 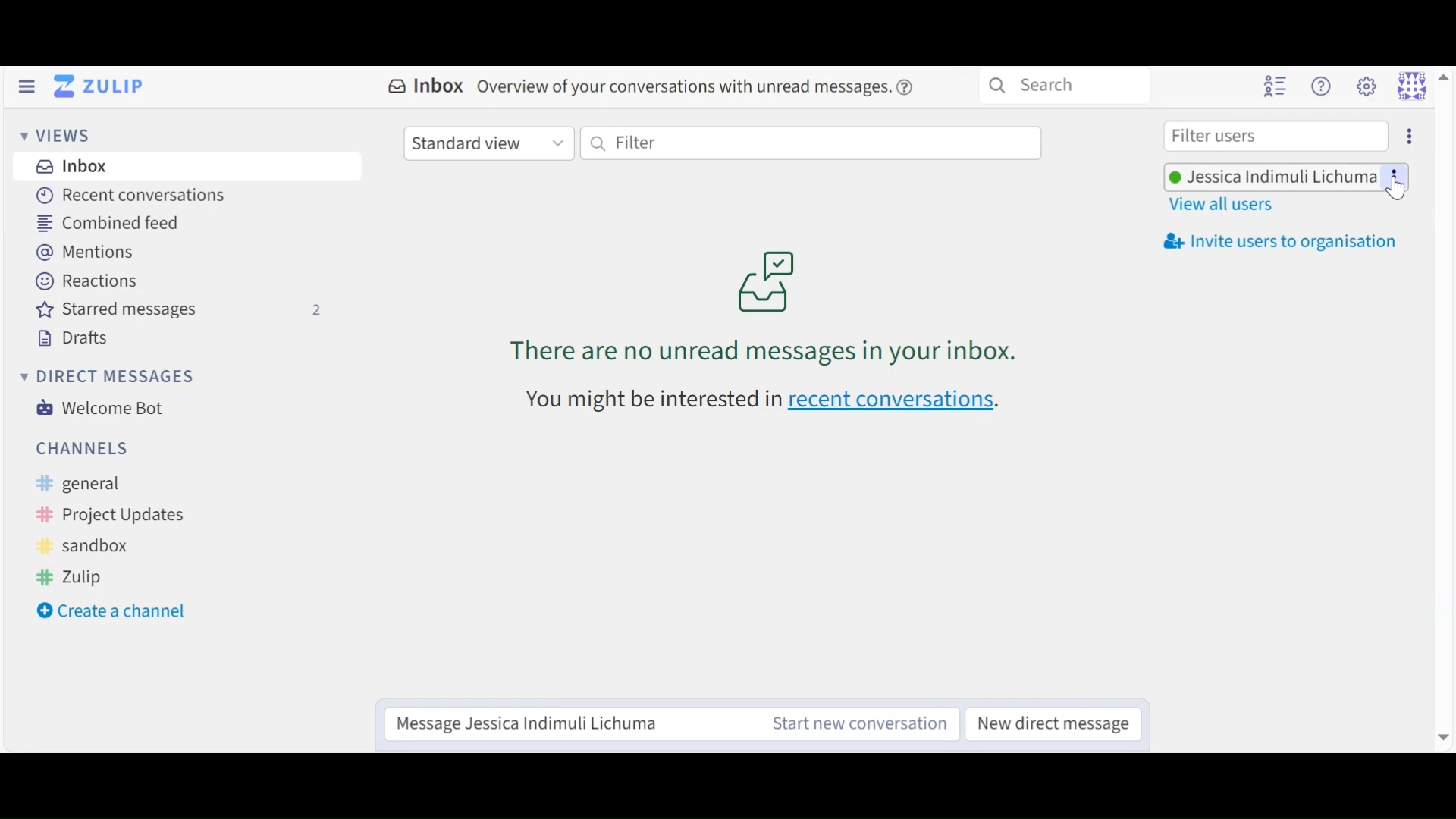 I want to click on Personal menu, so click(x=1412, y=86).